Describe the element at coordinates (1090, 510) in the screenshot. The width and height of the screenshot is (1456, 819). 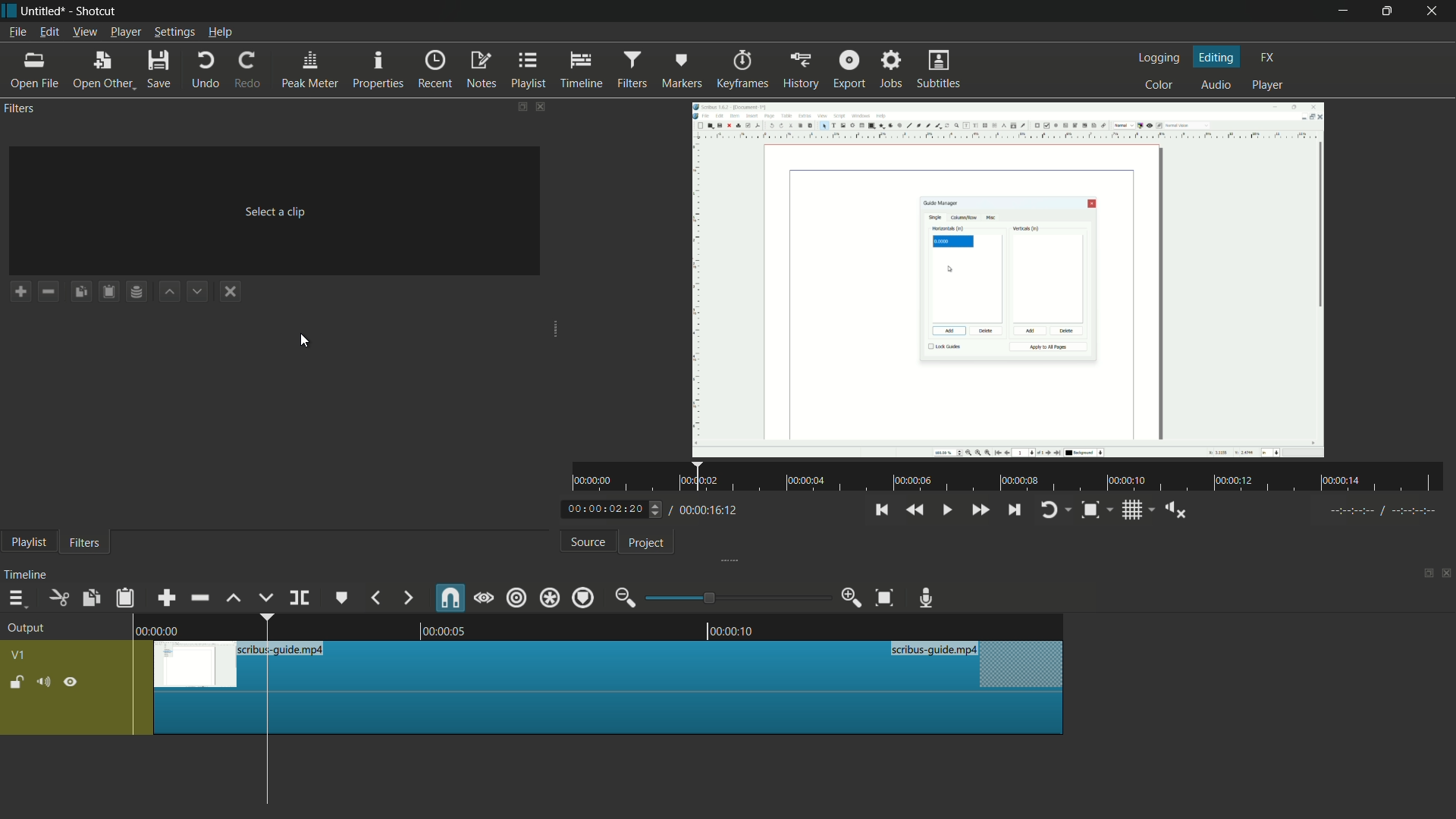
I see `toggle zoom` at that location.